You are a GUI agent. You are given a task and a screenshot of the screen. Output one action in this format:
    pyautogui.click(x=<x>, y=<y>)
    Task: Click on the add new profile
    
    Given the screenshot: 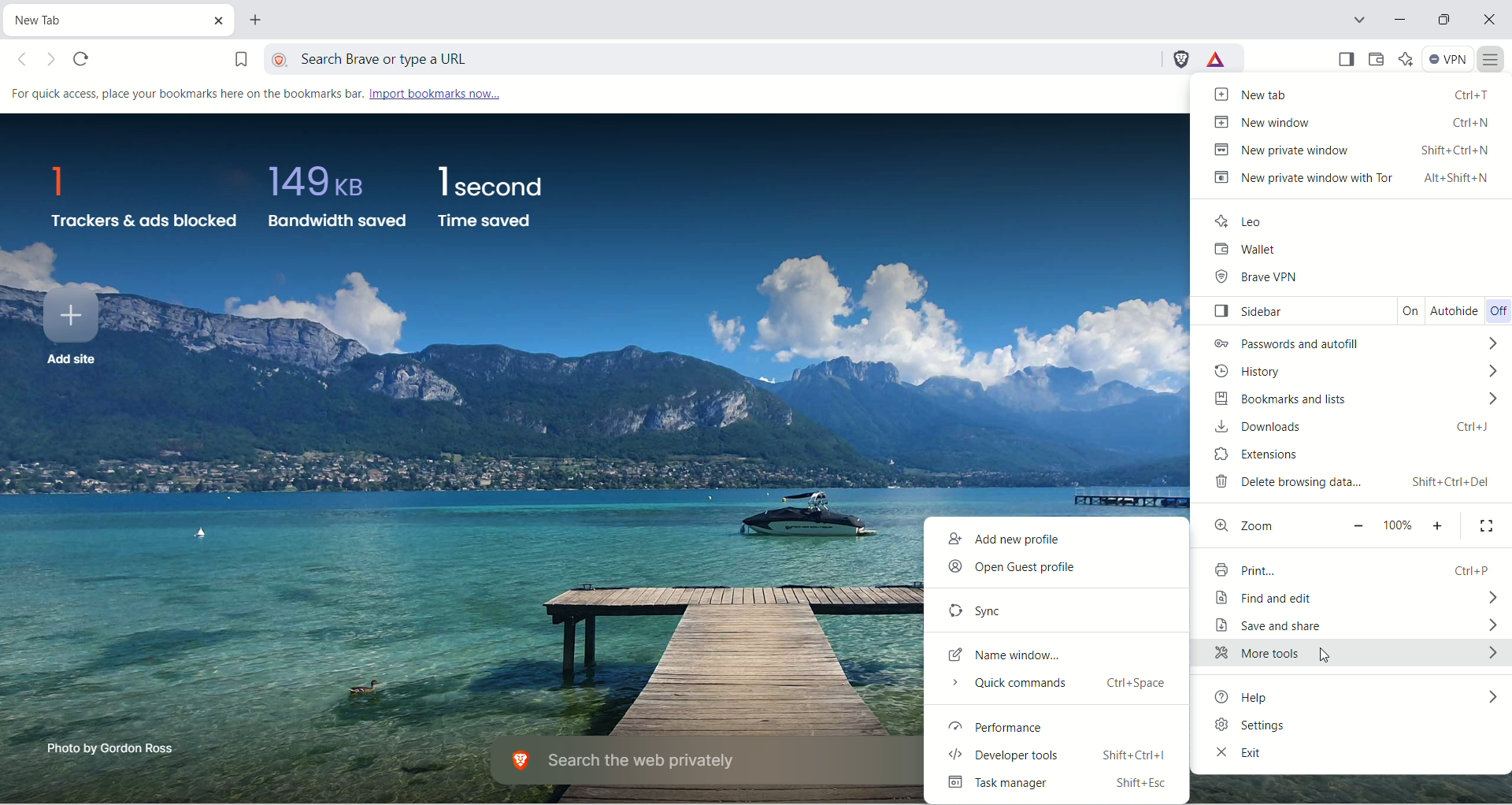 What is the action you would take?
    pyautogui.click(x=1060, y=540)
    